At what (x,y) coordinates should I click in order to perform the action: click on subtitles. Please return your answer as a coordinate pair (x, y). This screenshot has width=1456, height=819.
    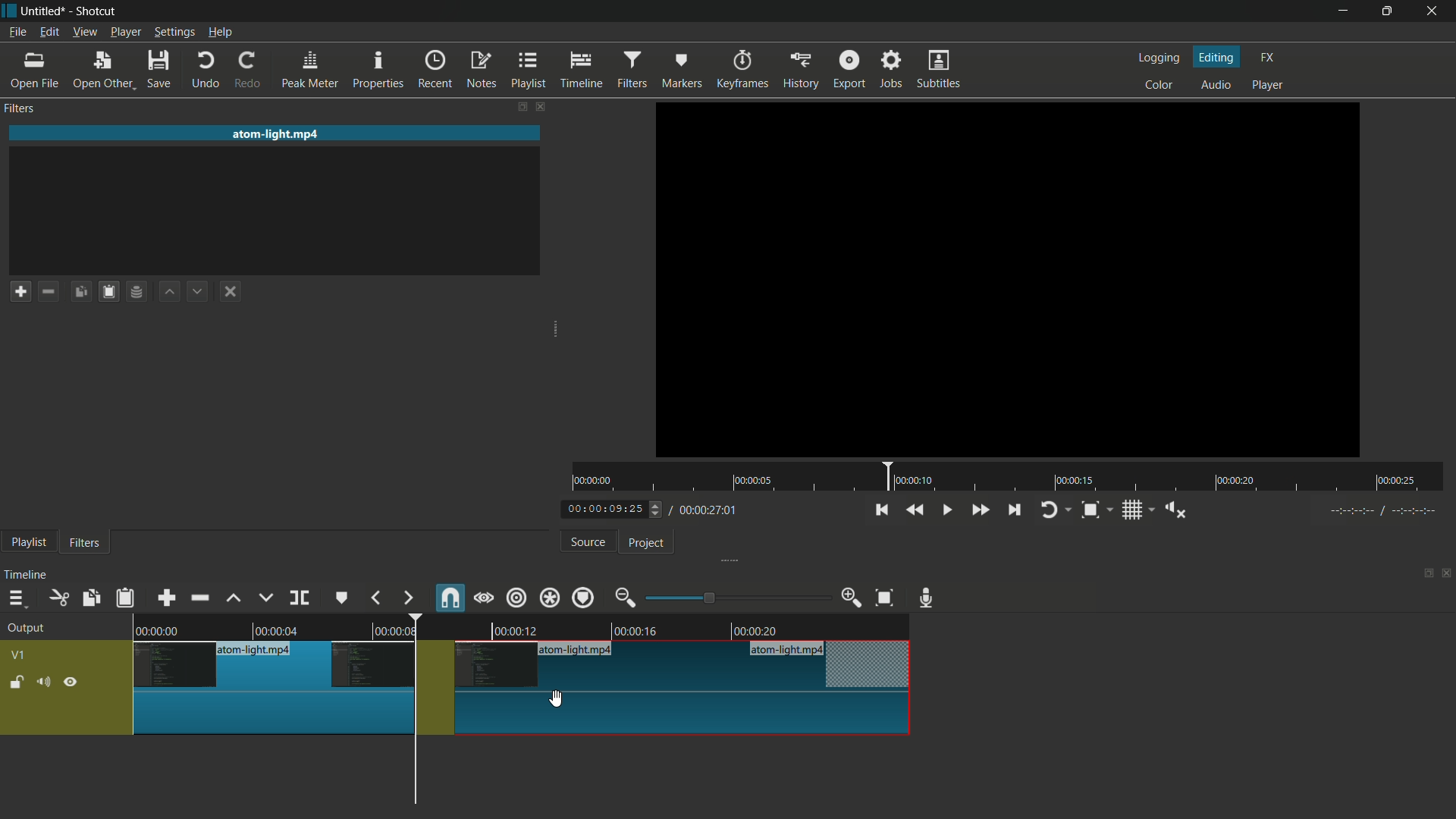
    Looking at the image, I should click on (941, 71).